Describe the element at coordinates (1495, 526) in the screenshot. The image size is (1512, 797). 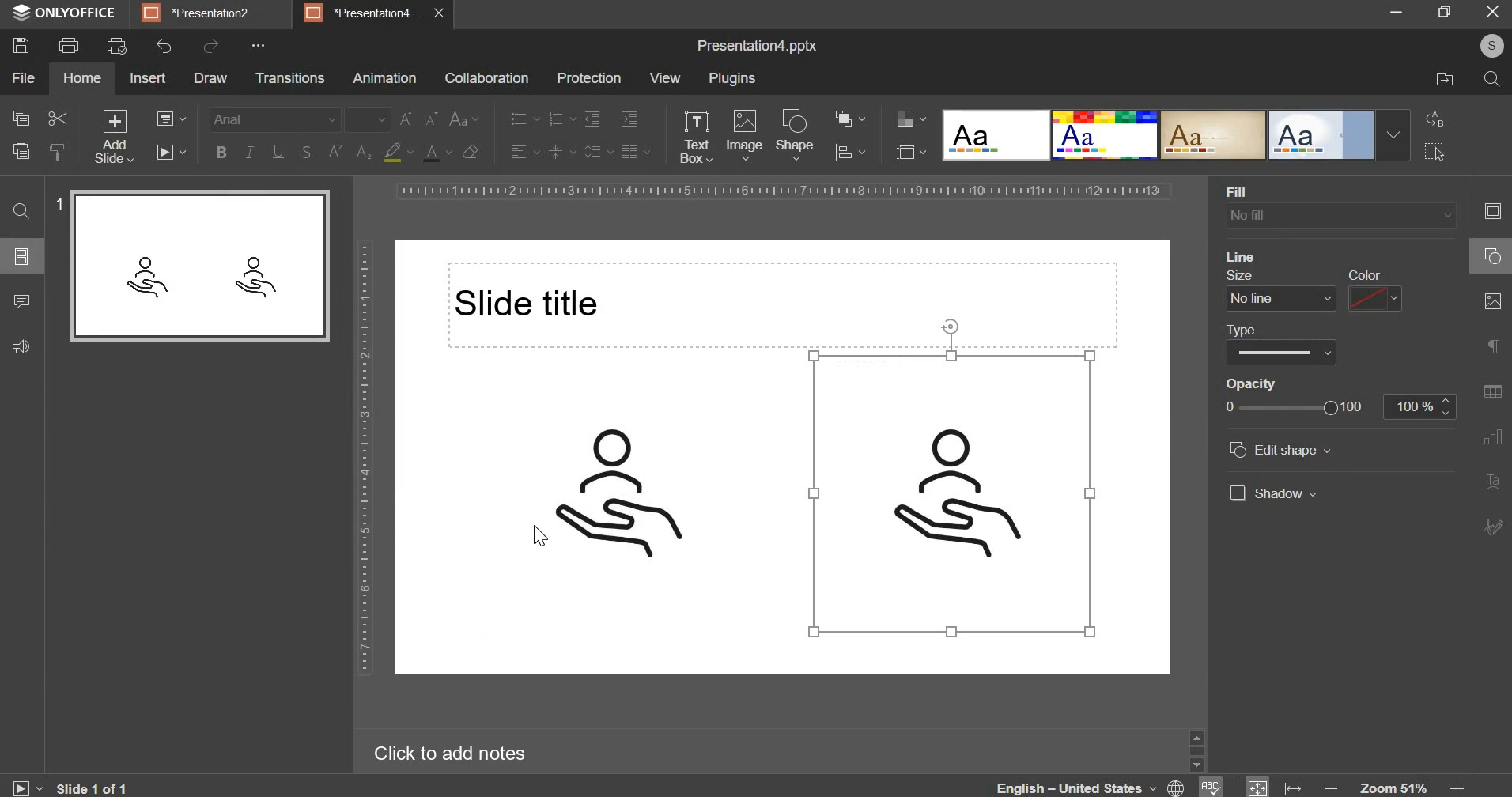
I see `signature` at that location.